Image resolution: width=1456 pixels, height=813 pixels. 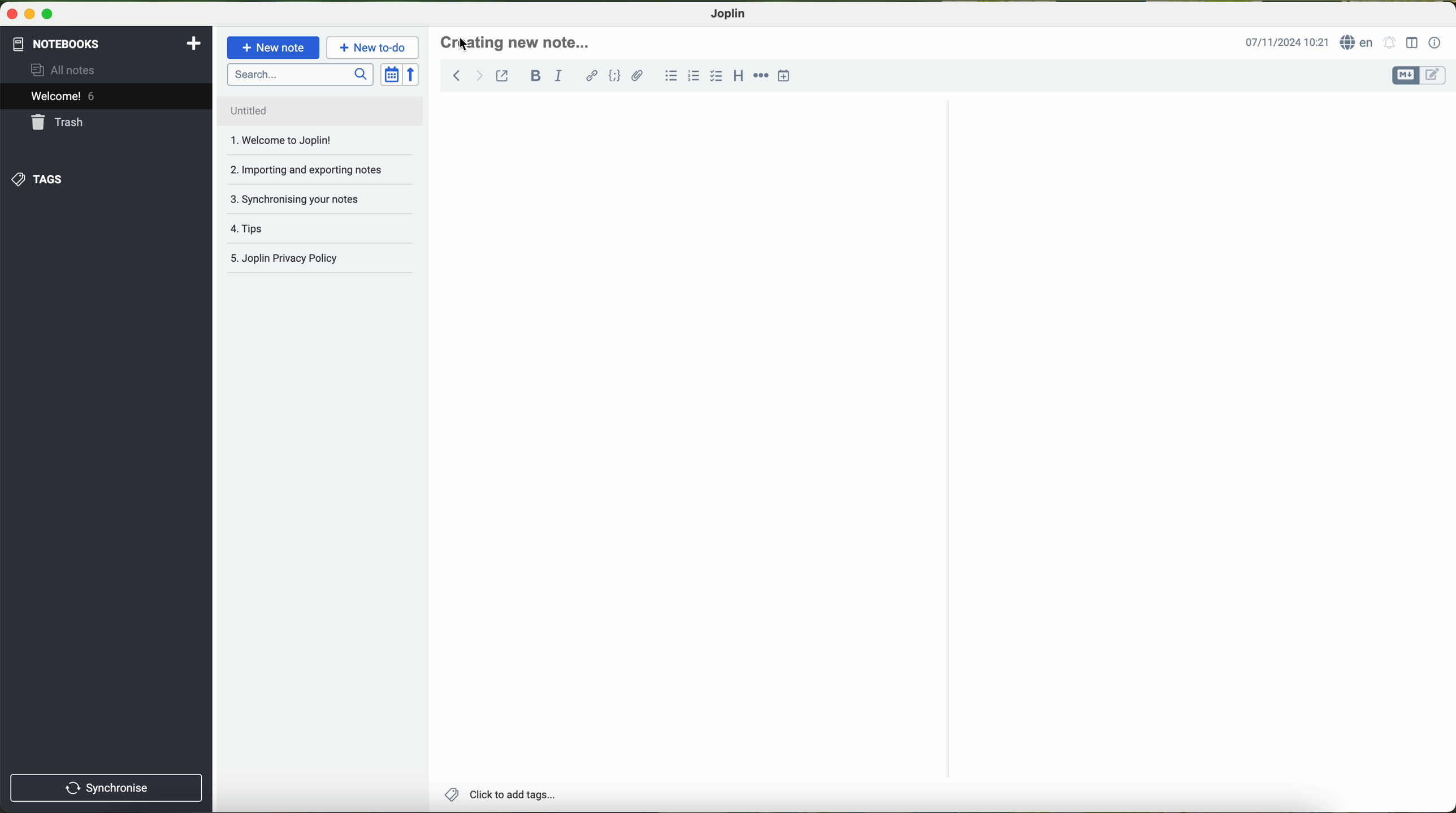 I want to click on all notes, so click(x=66, y=69).